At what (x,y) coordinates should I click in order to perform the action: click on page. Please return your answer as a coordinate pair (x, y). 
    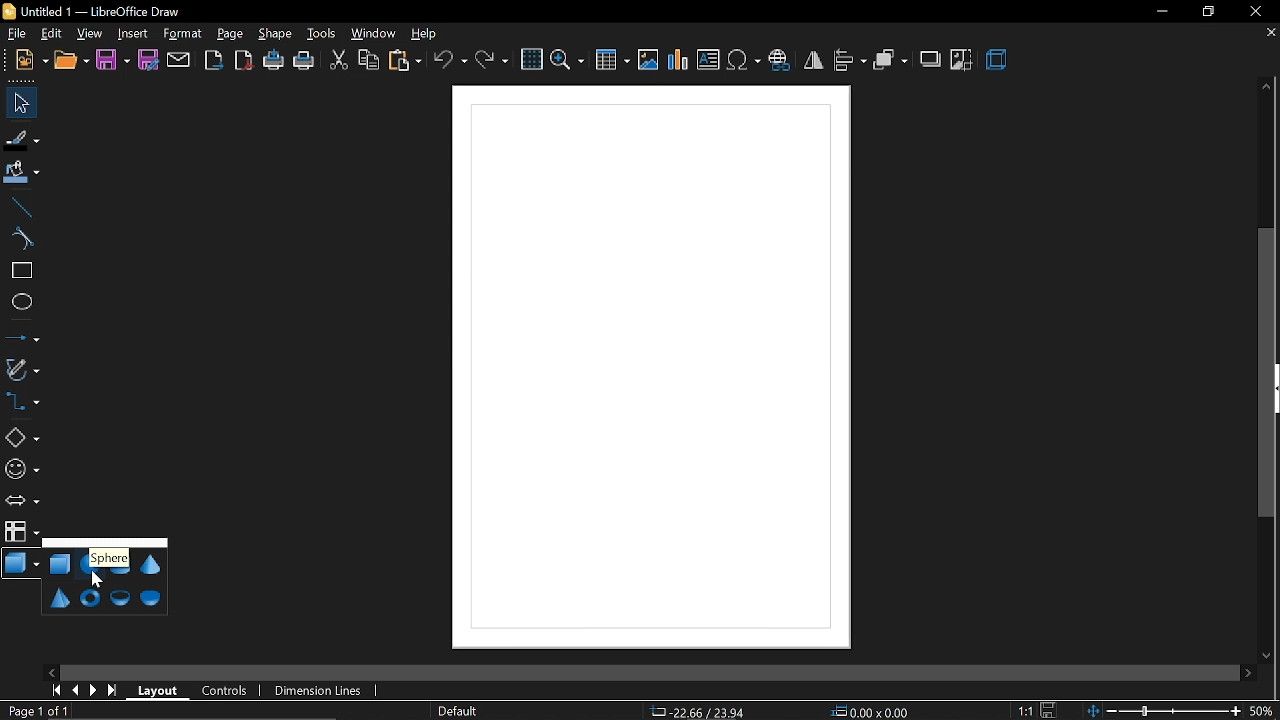
    Looking at the image, I should click on (228, 34).